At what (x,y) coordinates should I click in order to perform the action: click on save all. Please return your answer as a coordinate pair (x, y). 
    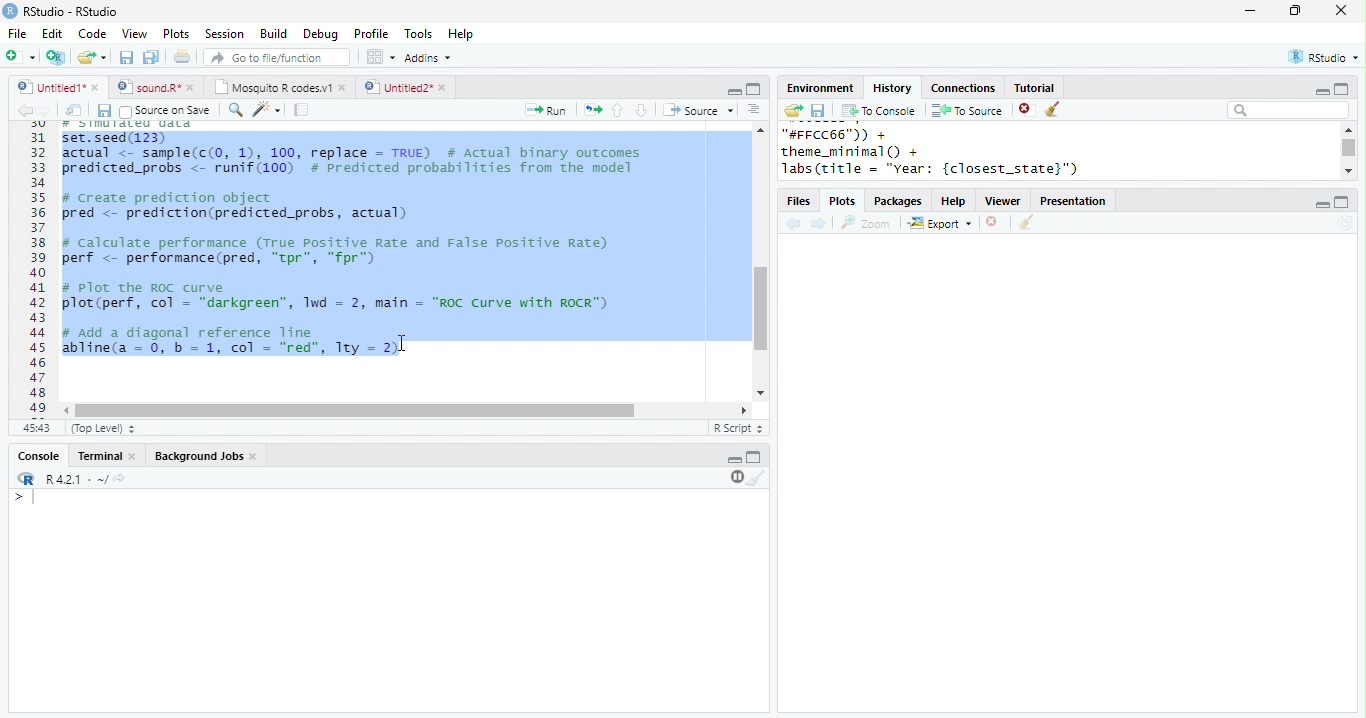
    Looking at the image, I should click on (151, 57).